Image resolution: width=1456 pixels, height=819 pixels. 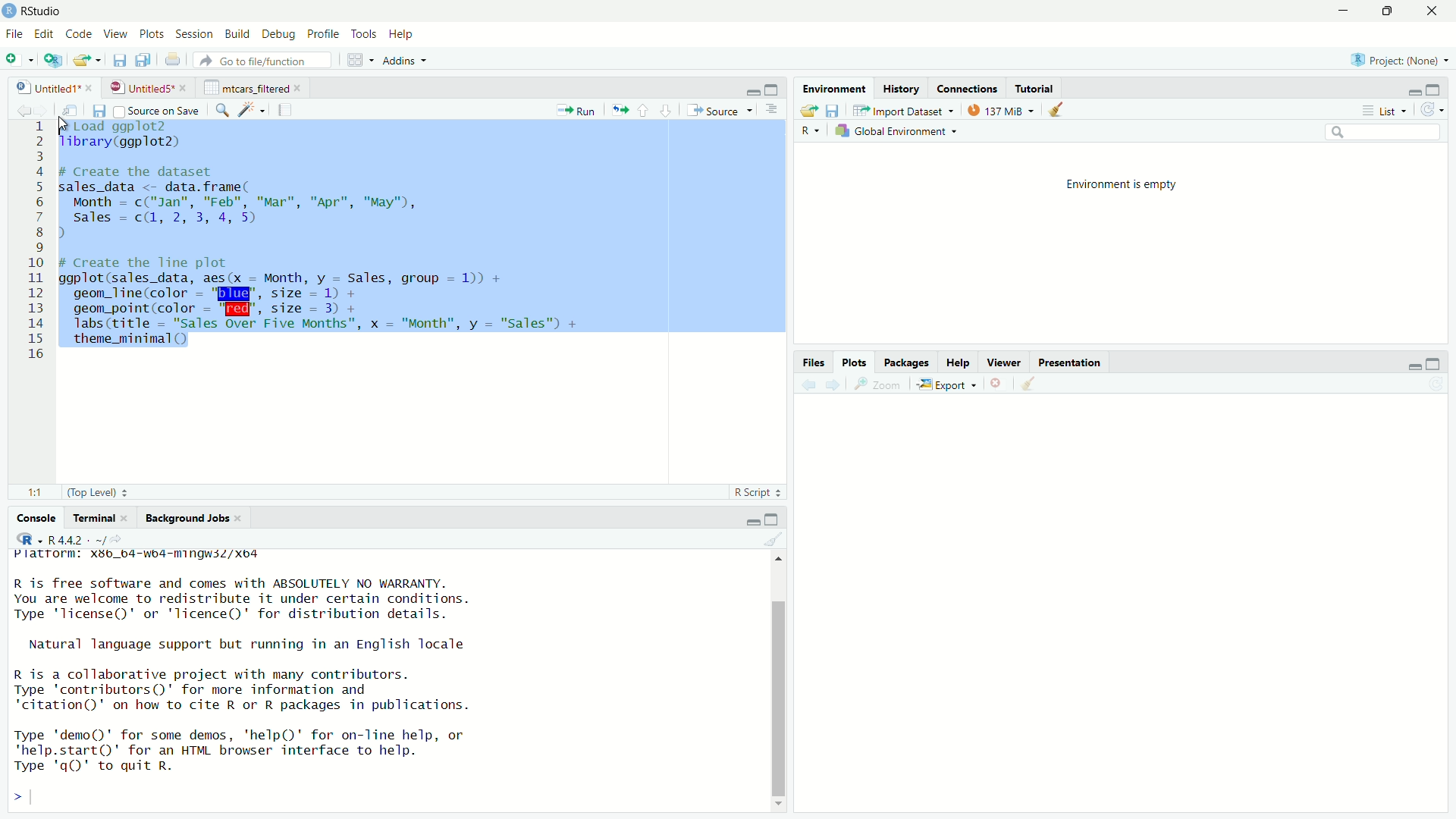 I want to click on History, so click(x=900, y=89).